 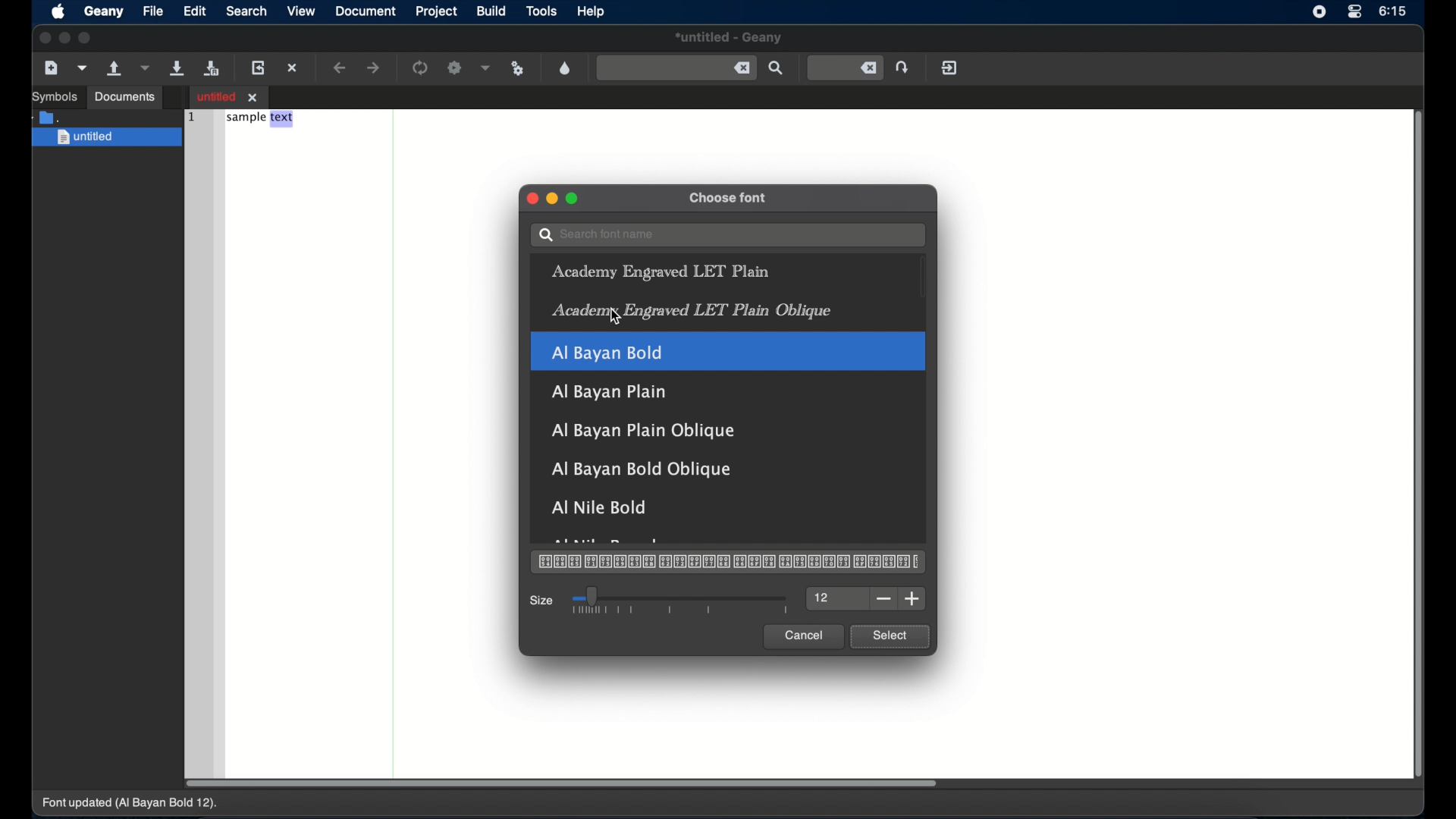 I want to click on al bayan bold, so click(x=729, y=350).